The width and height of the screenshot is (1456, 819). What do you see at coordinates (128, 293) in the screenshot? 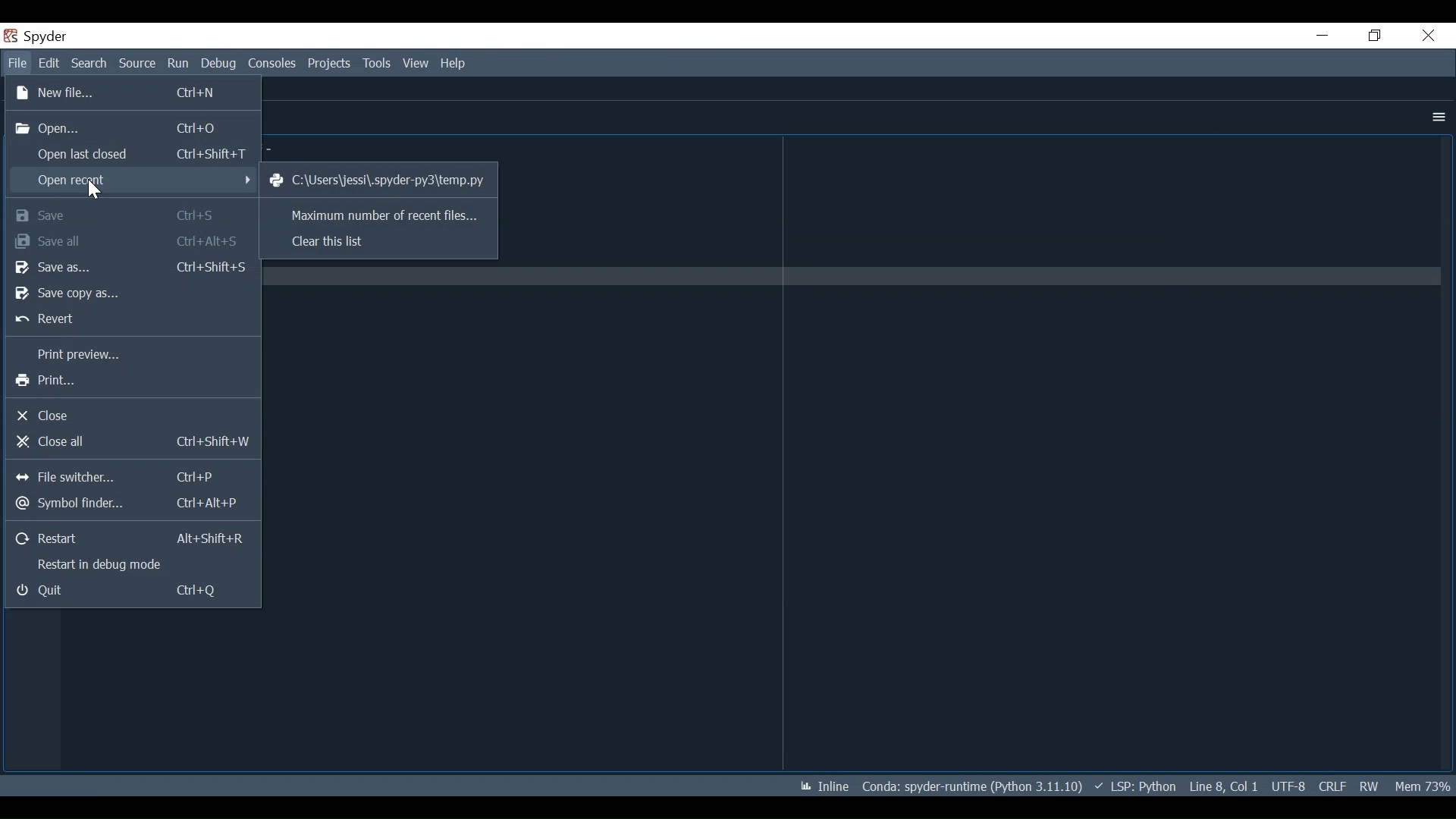
I see `Save Copy as` at bounding box center [128, 293].